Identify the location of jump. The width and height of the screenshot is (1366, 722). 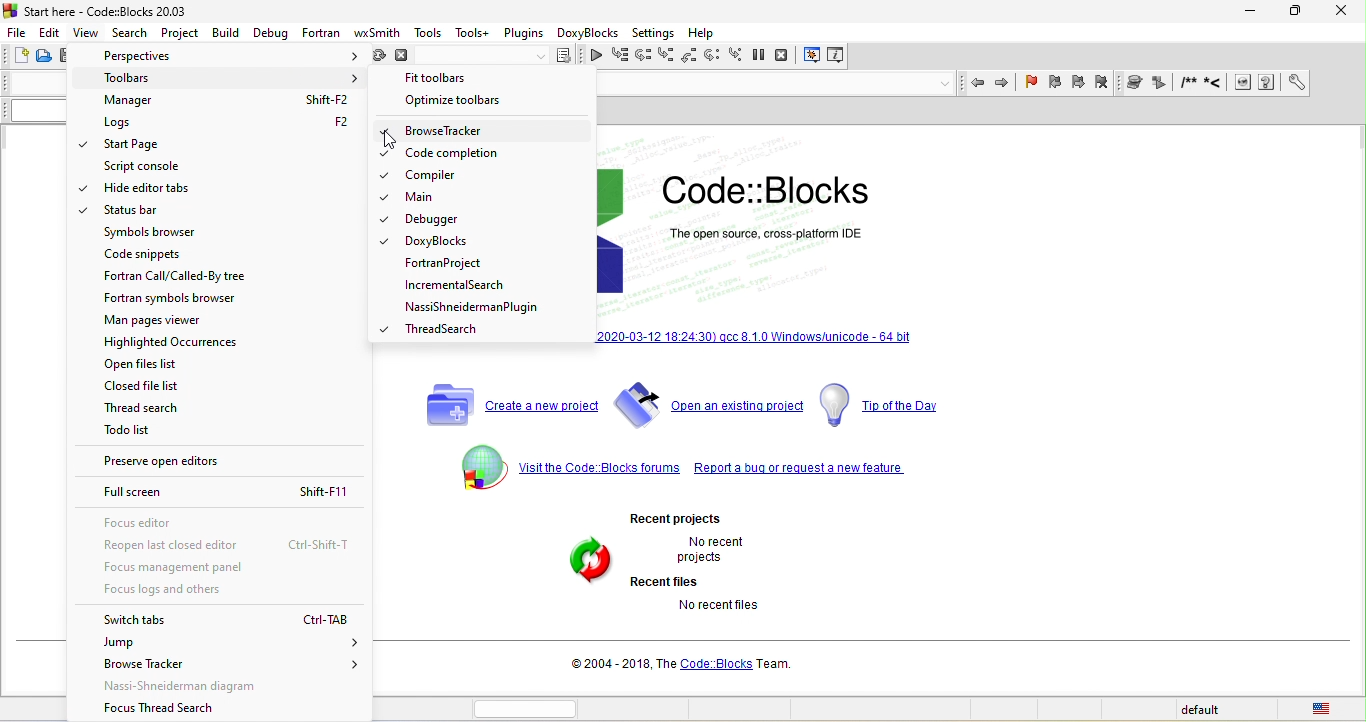
(228, 644).